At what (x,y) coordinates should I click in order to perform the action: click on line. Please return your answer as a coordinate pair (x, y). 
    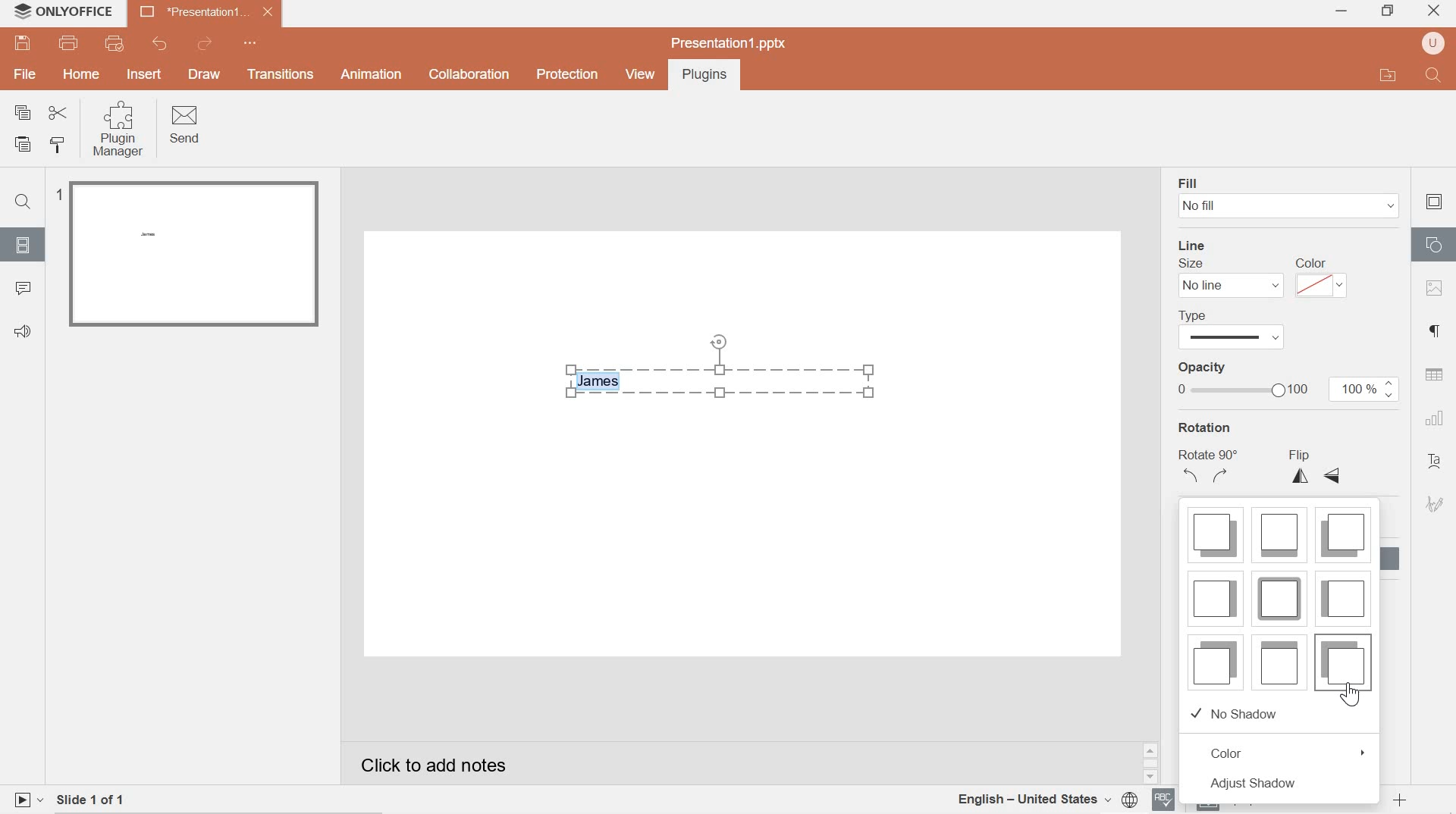
    Looking at the image, I should click on (1194, 246).